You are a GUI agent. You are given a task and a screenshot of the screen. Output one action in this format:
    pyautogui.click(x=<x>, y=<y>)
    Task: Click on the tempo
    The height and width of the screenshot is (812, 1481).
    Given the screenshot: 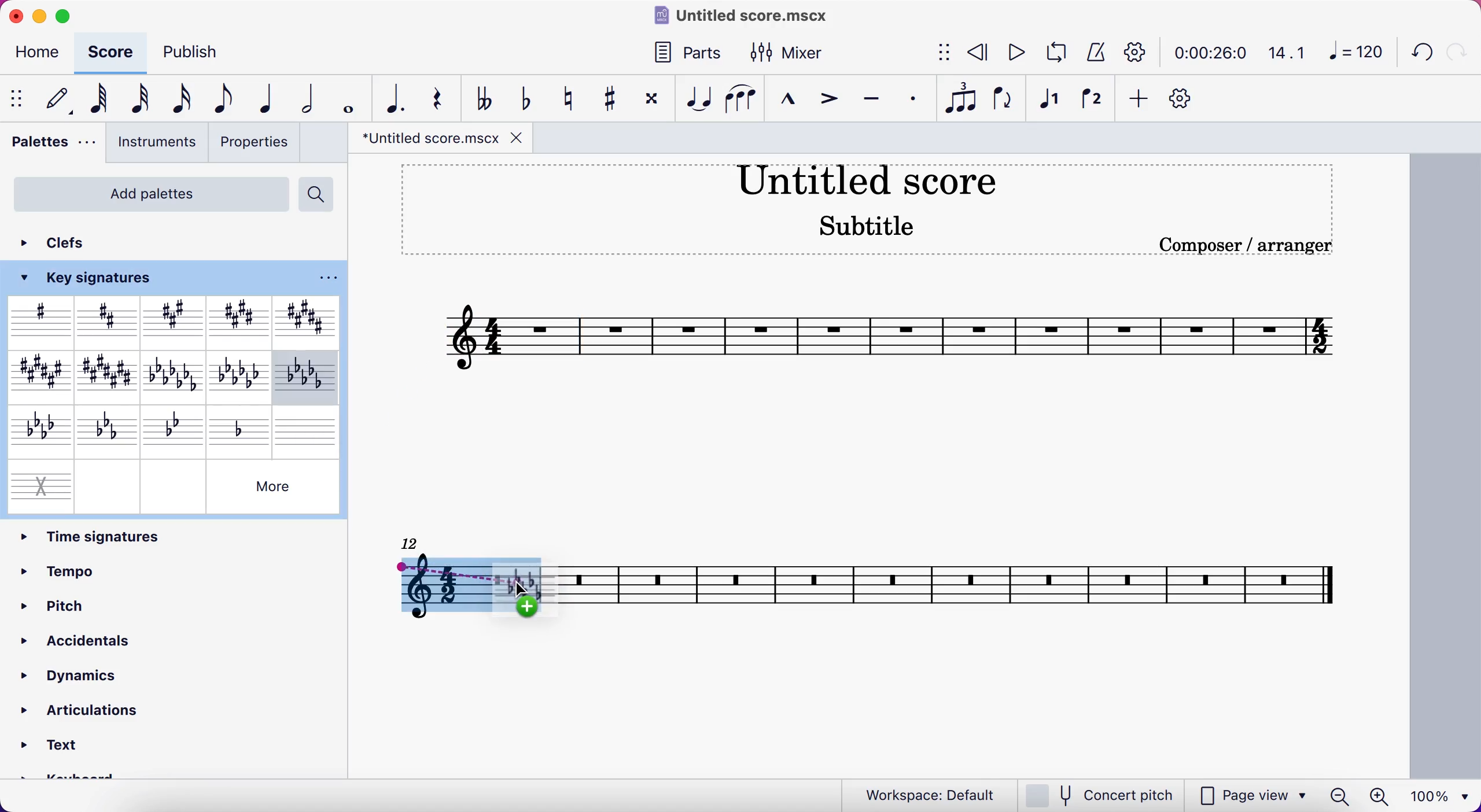 What is the action you would take?
    pyautogui.click(x=108, y=570)
    